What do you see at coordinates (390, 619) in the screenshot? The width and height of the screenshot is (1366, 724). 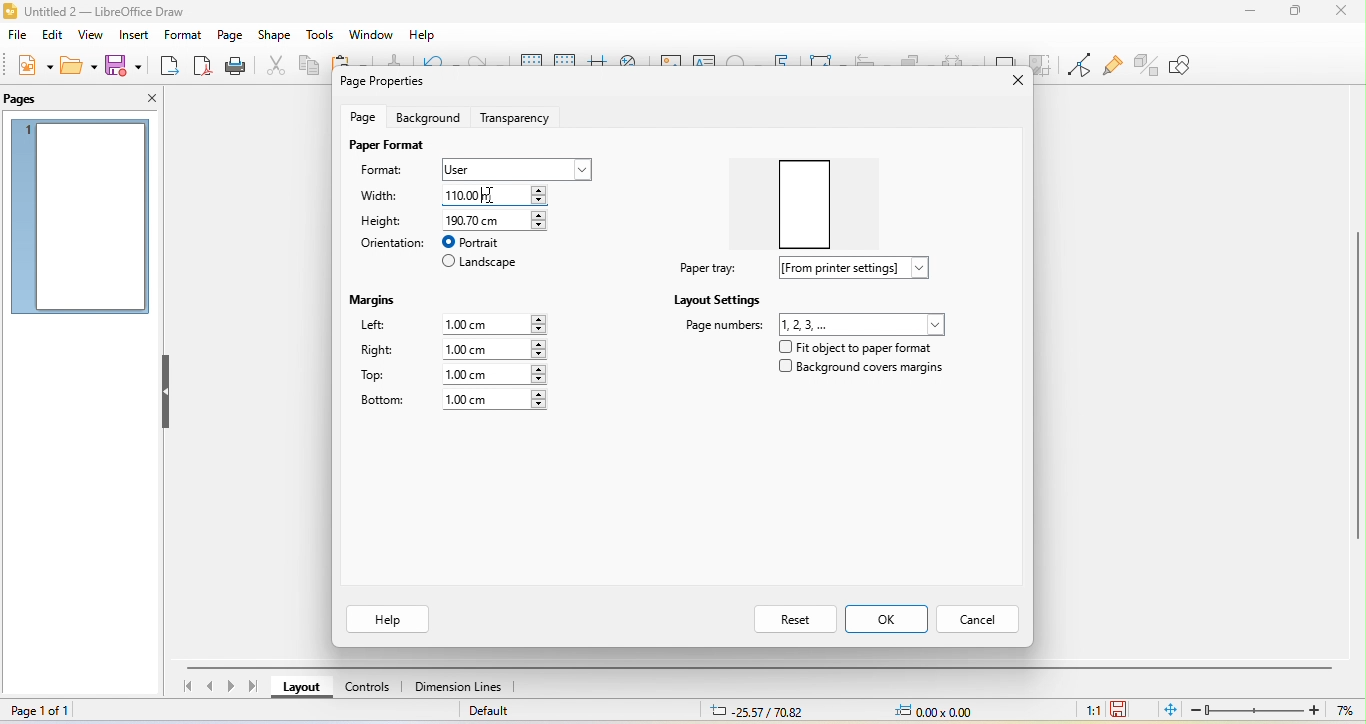 I see `help` at bounding box center [390, 619].